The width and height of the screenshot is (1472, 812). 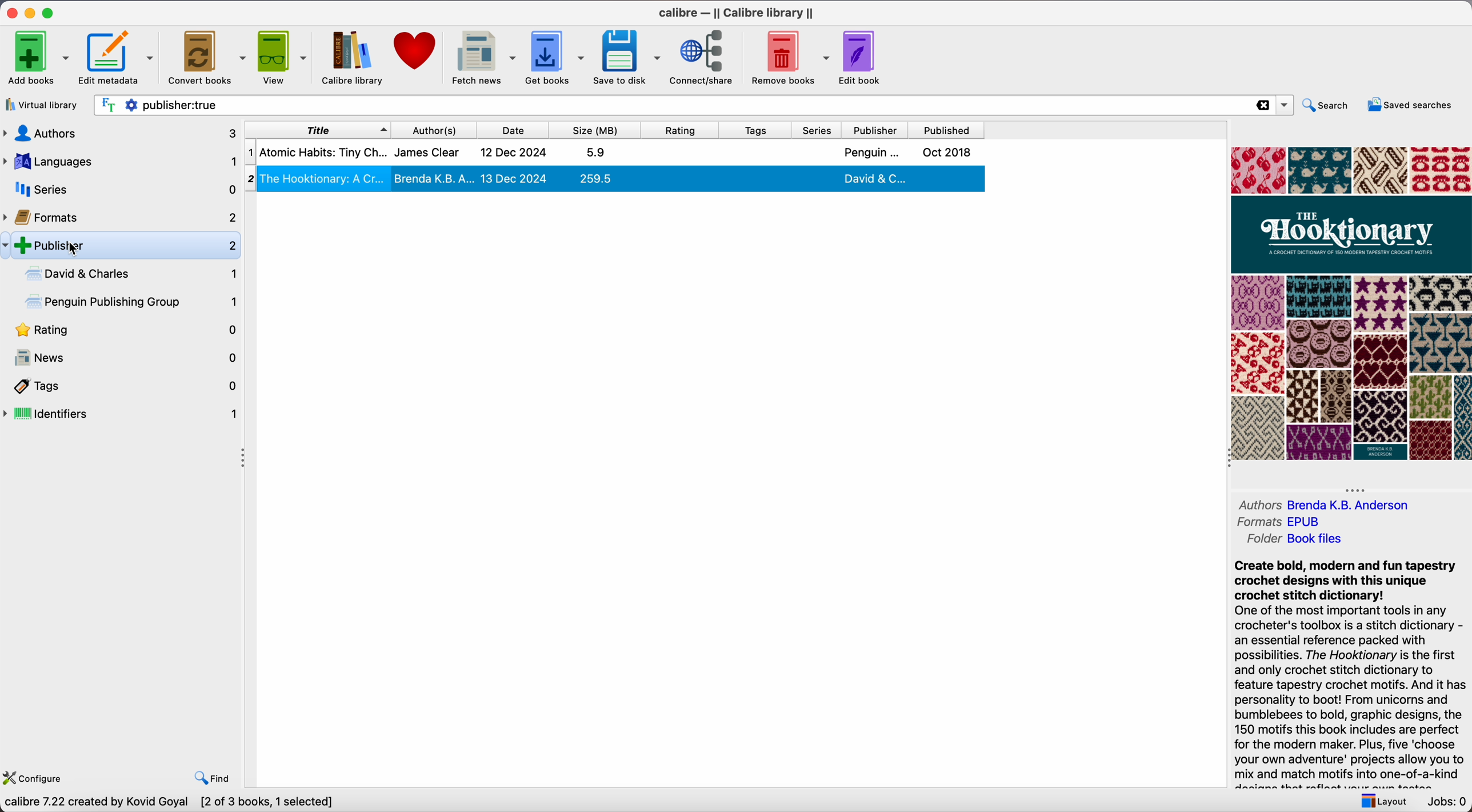 I want to click on add books, so click(x=38, y=56).